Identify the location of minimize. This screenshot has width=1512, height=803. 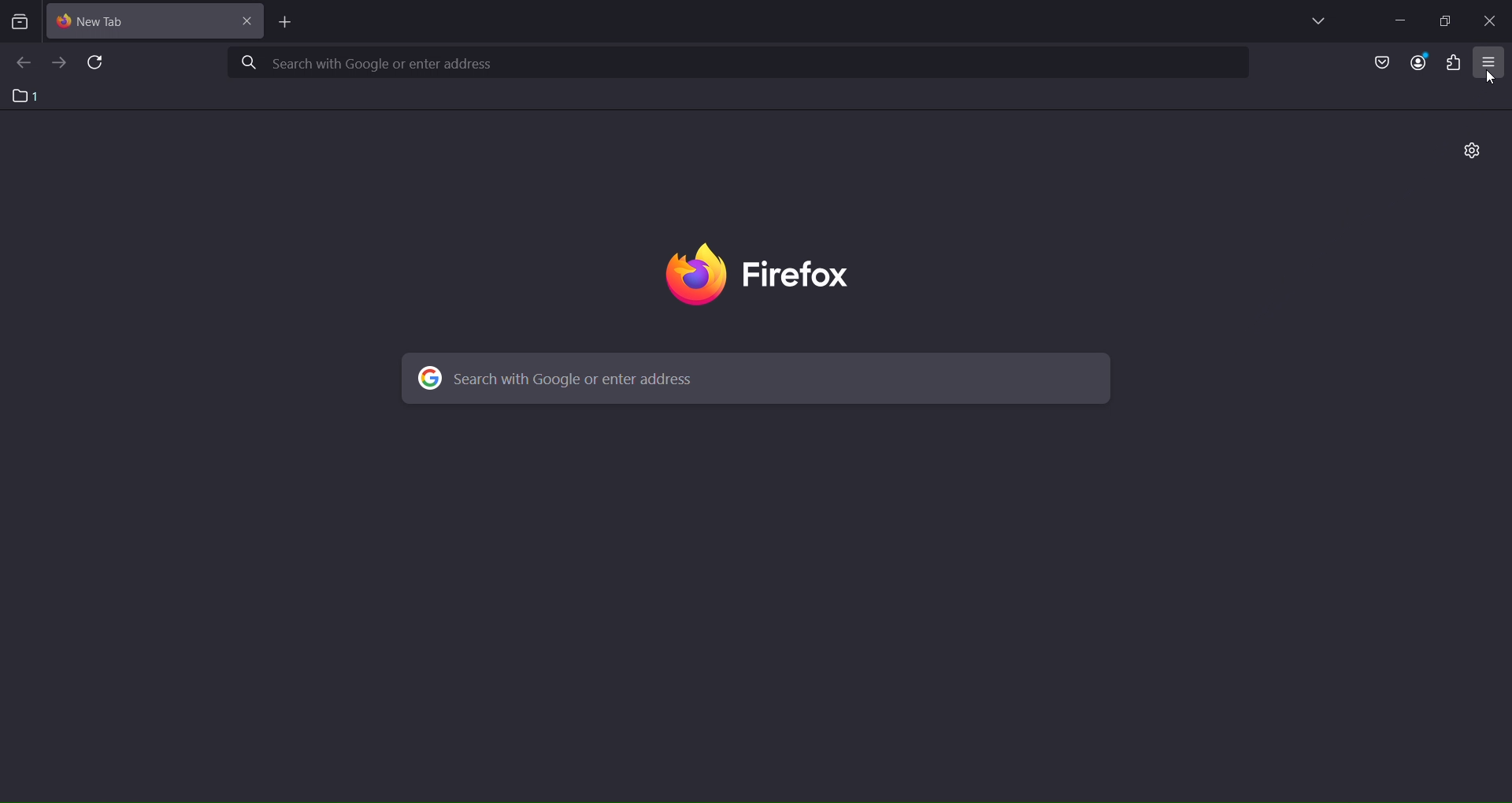
(1393, 19).